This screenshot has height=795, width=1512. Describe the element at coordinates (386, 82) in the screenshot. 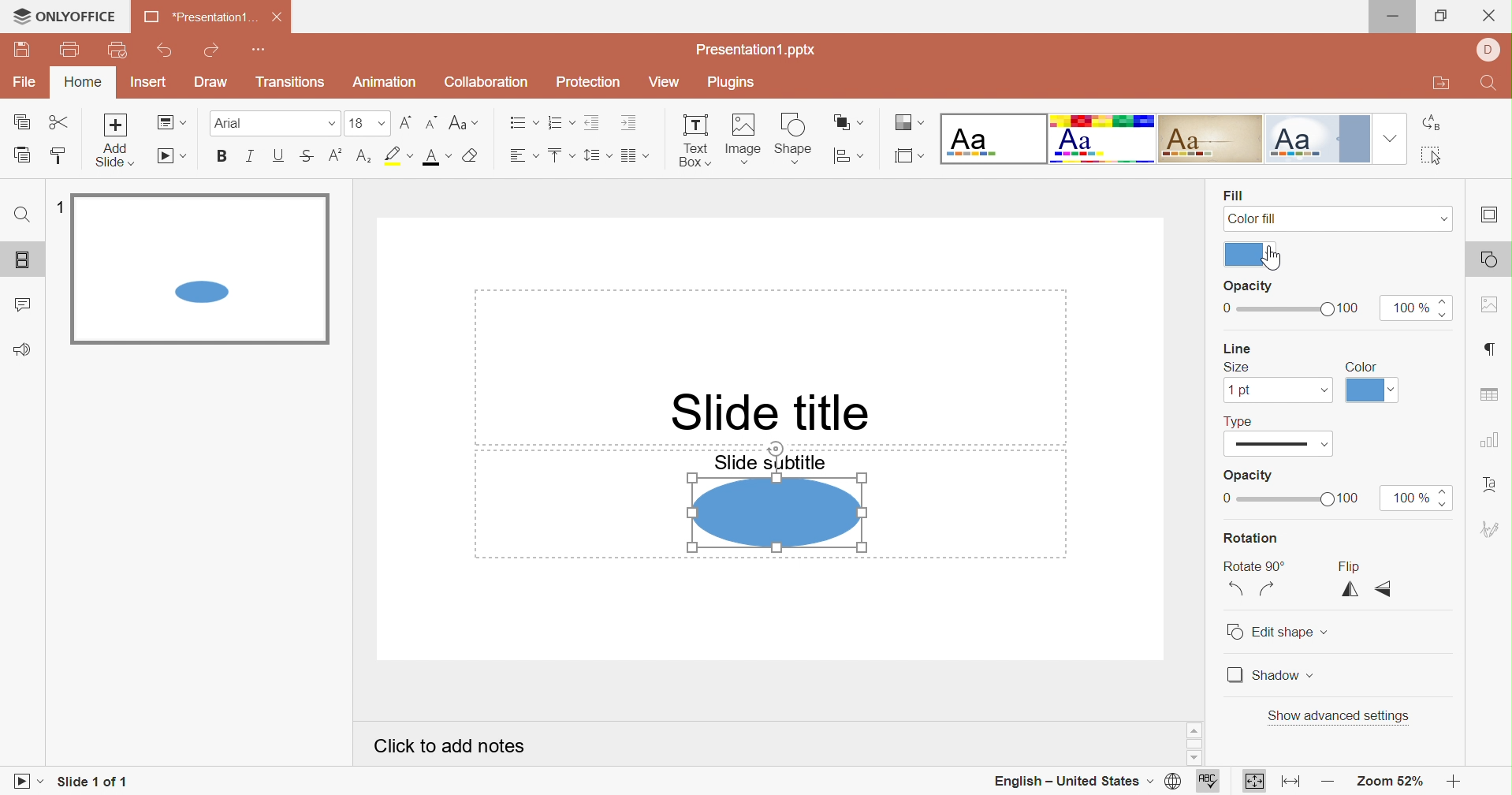

I see `Animation` at that location.